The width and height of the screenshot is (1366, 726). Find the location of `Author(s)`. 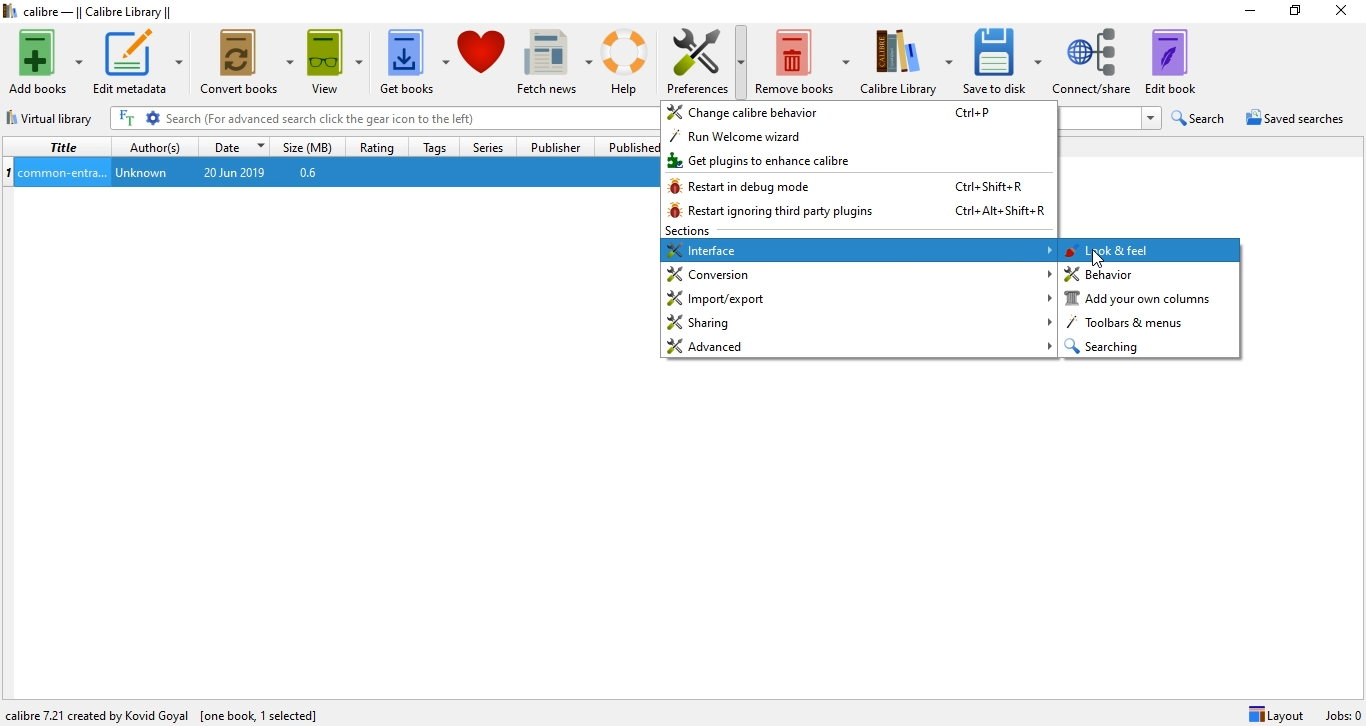

Author(s) is located at coordinates (156, 145).